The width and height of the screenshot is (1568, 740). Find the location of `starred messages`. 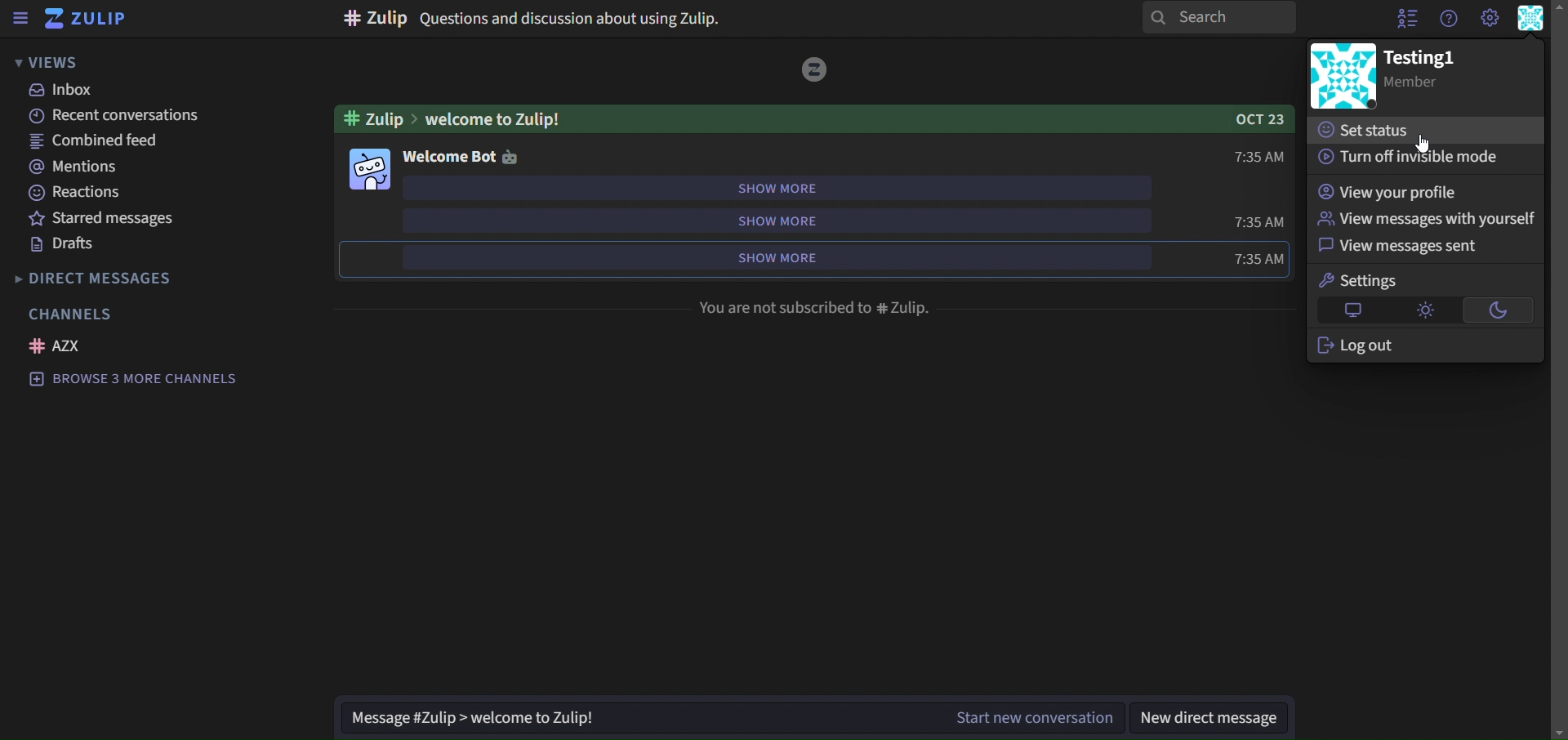

starred messages is located at coordinates (141, 221).